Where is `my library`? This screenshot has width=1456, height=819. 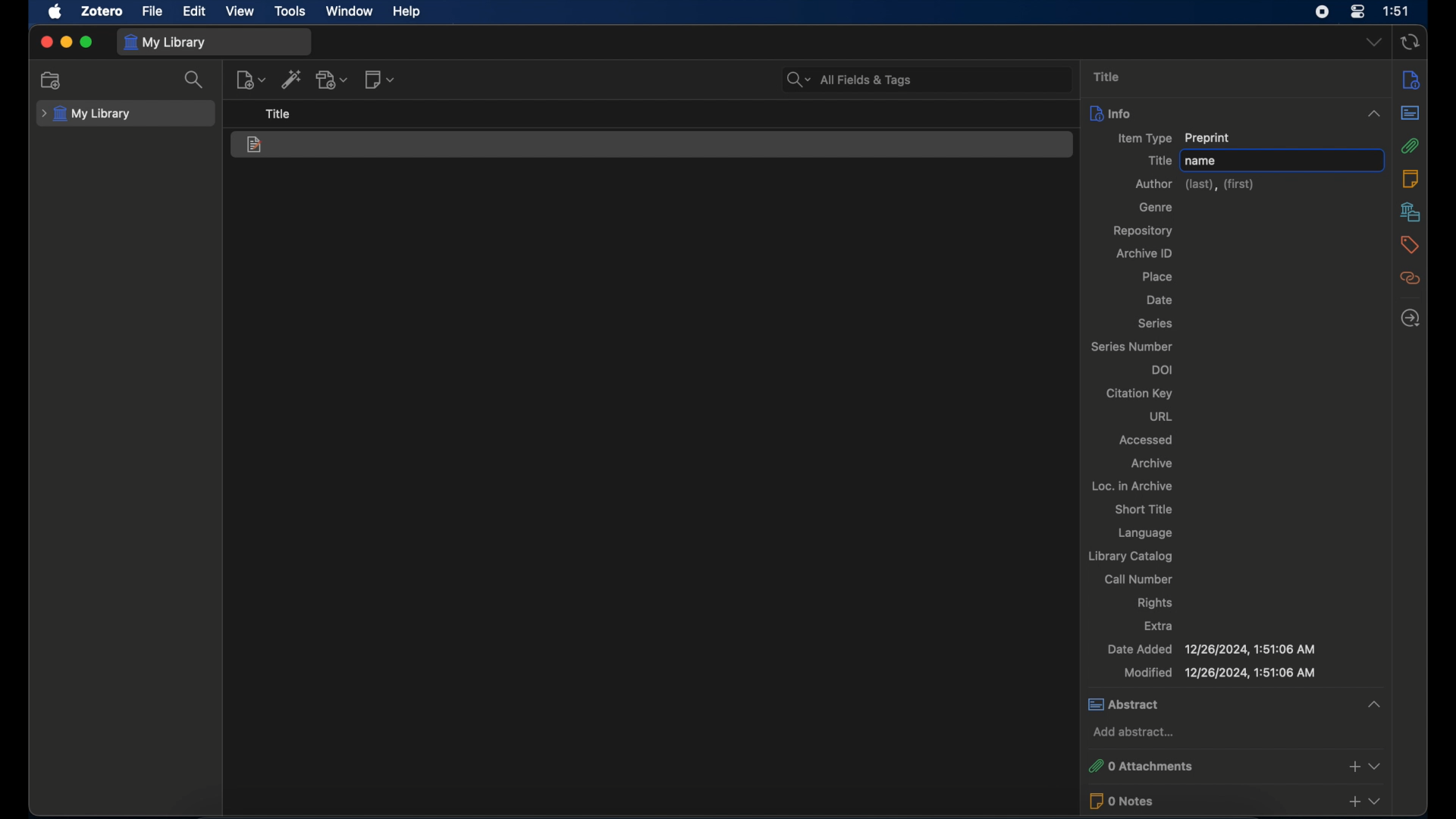
my library is located at coordinates (88, 115).